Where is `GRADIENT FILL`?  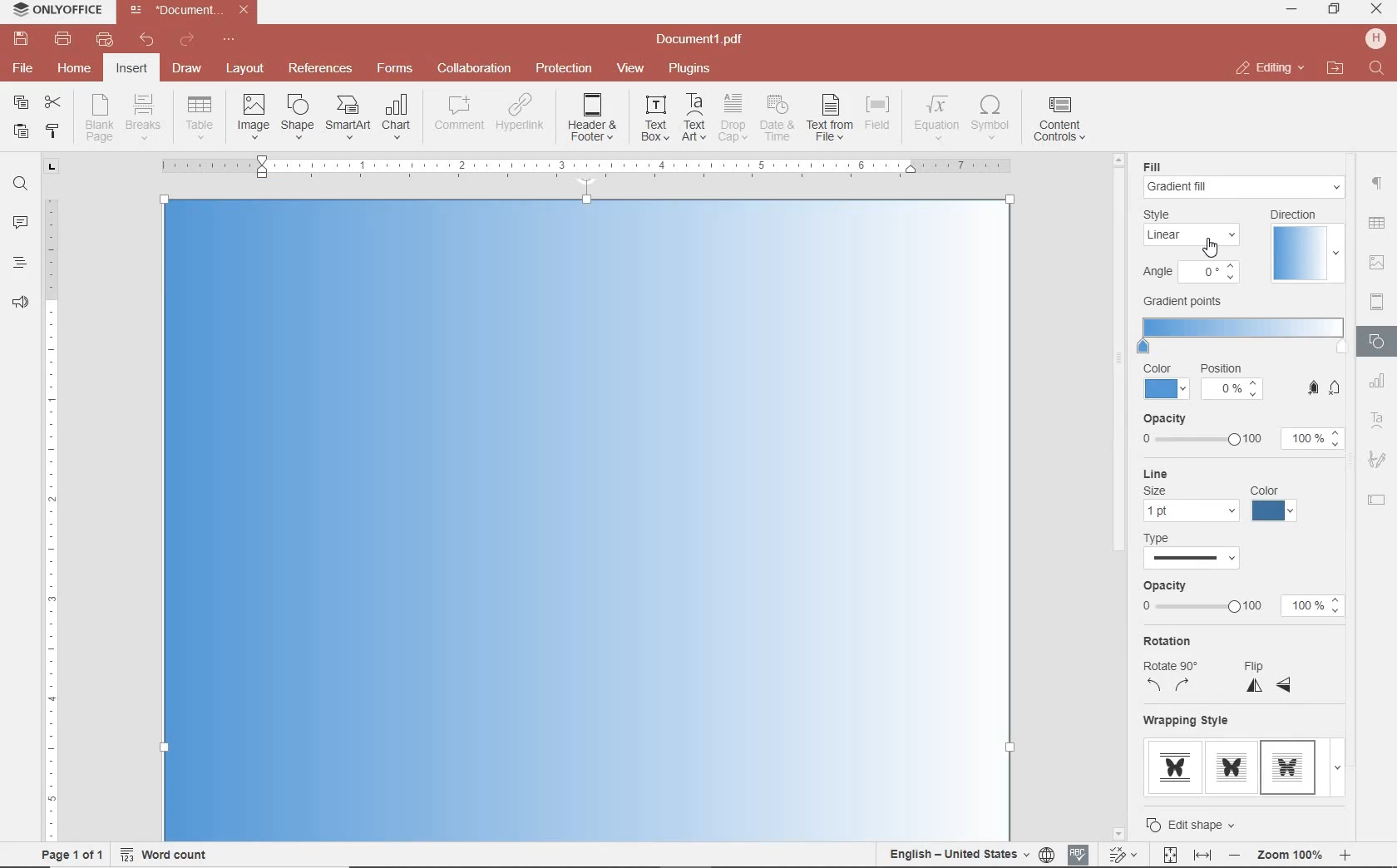 GRADIENT FILL is located at coordinates (1246, 189).